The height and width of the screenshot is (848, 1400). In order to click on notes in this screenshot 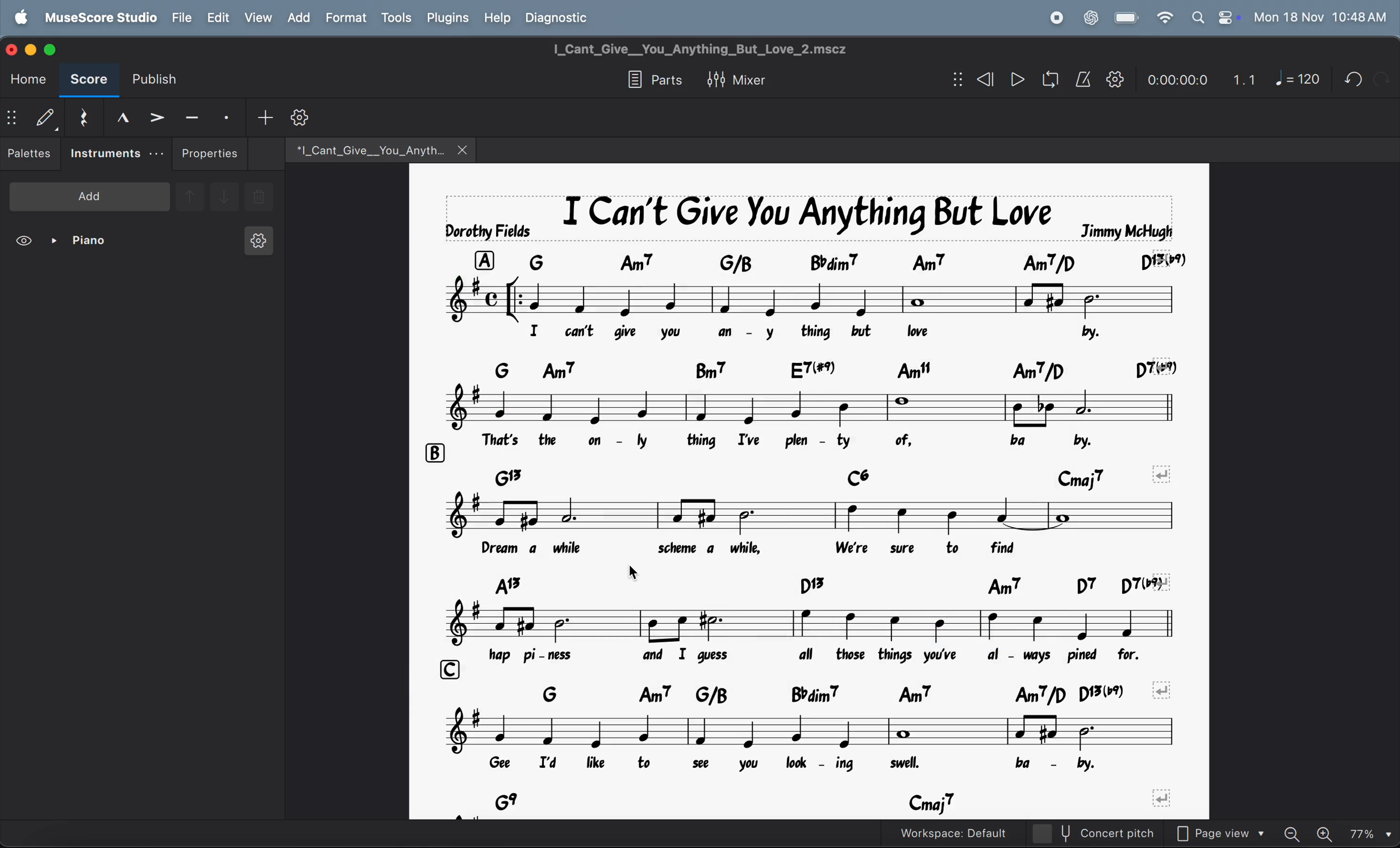, I will do `click(813, 730)`.